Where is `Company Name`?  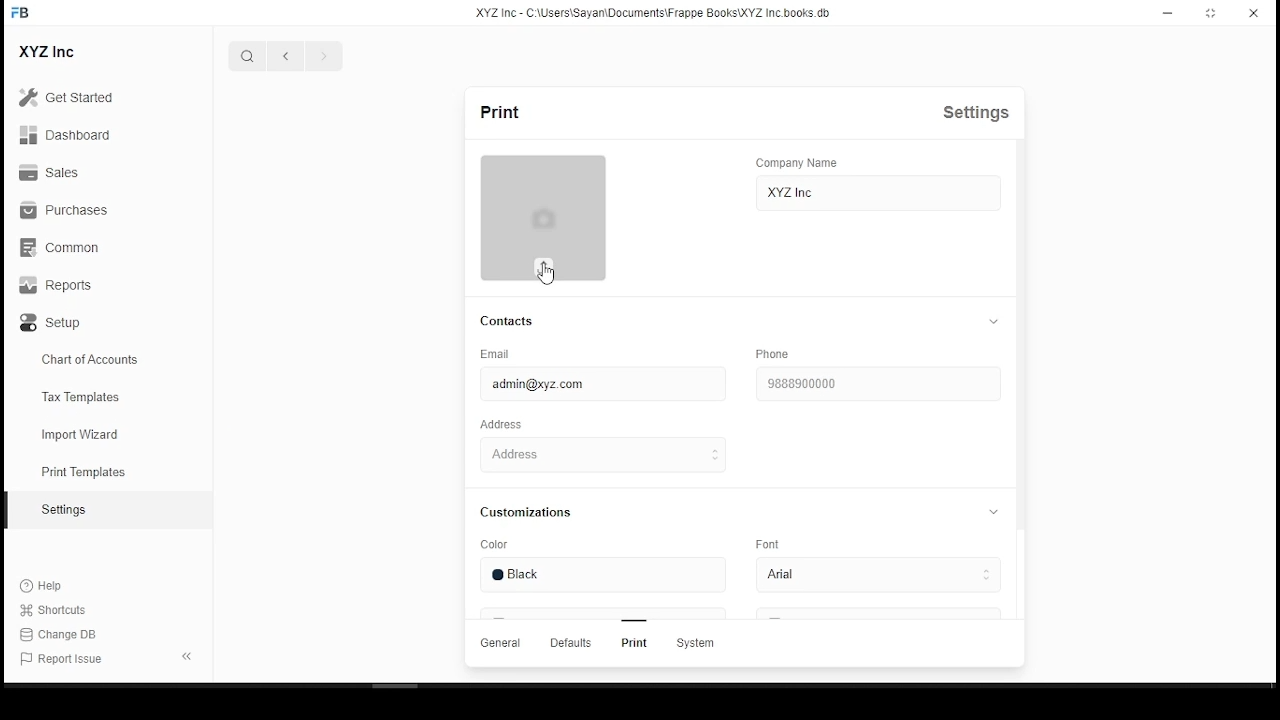
Company Name is located at coordinates (796, 160).